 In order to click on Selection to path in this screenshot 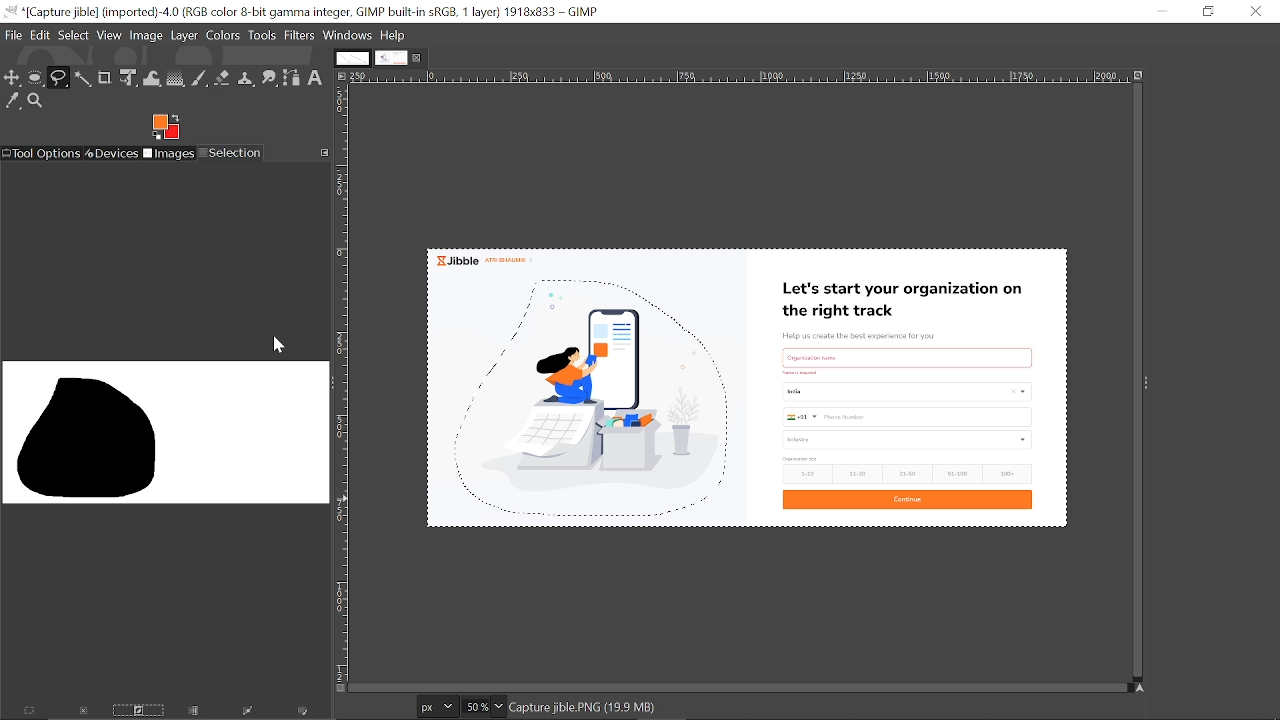, I will do `click(250, 713)`.